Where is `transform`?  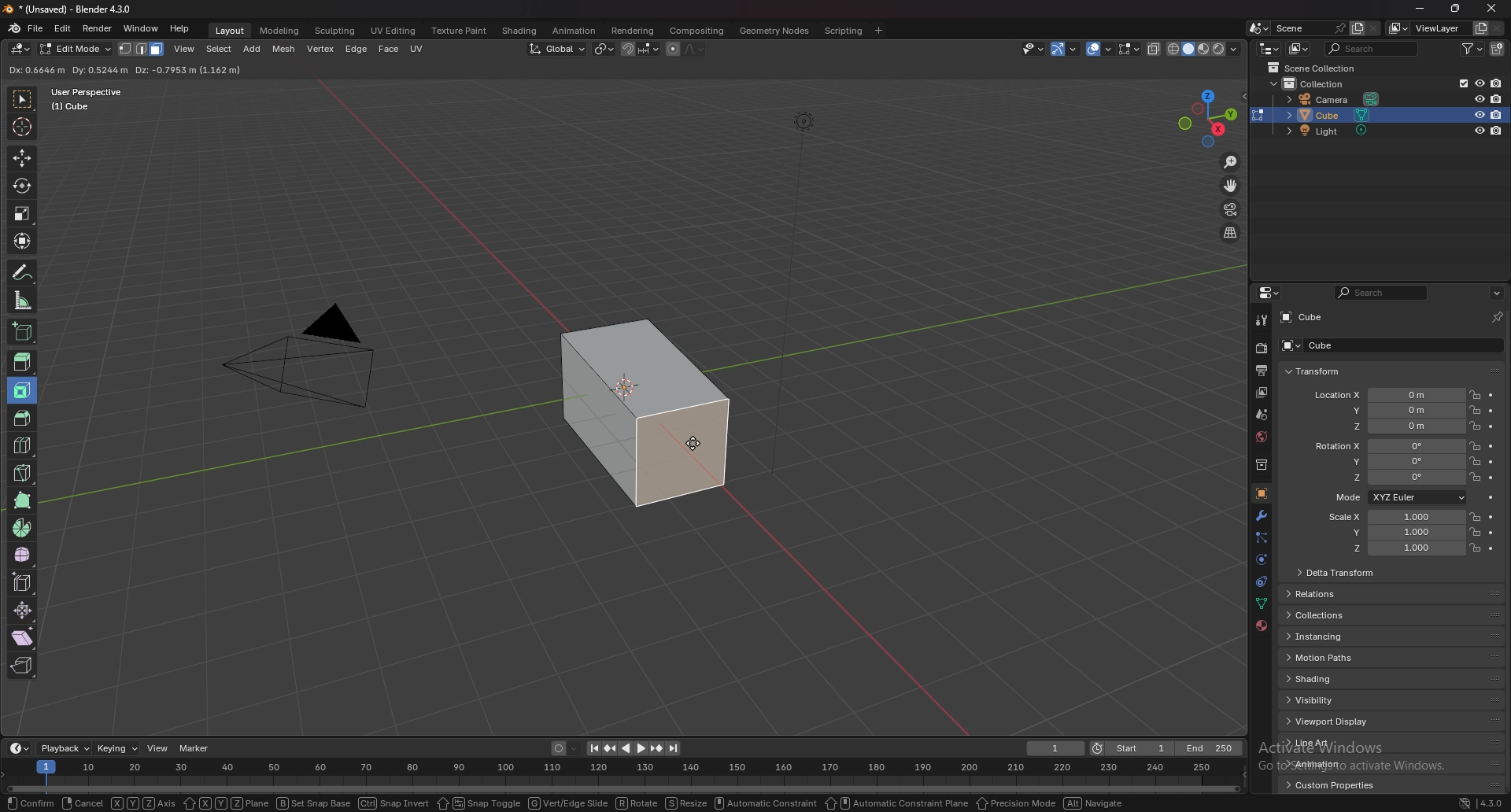
transform is located at coordinates (24, 241).